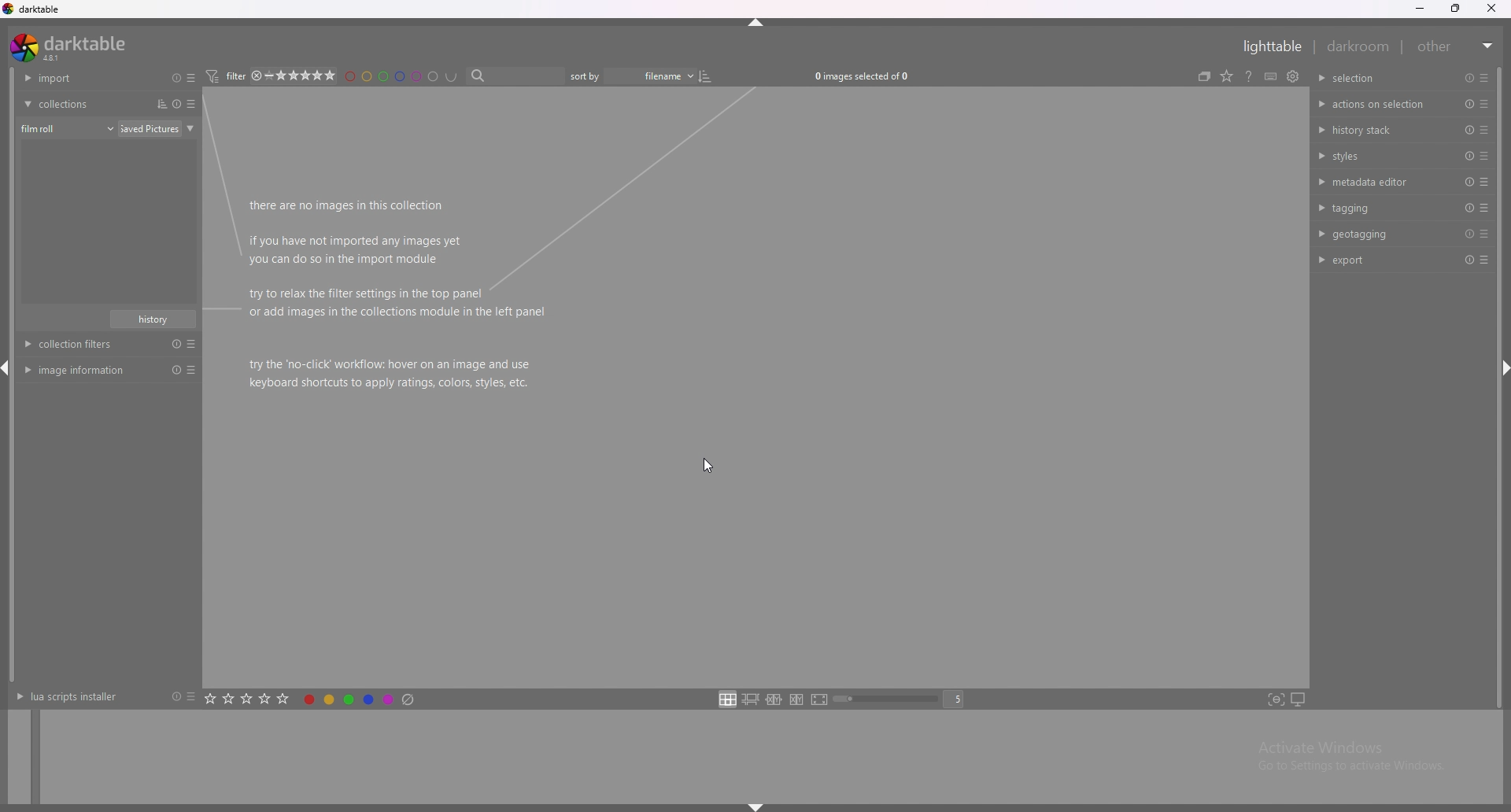 Image resolution: width=1511 pixels, height=812 pixels. What do you see at coordinates (1494, 9) in the screenshot?
I see `close` at bounding box center [1494, 9].